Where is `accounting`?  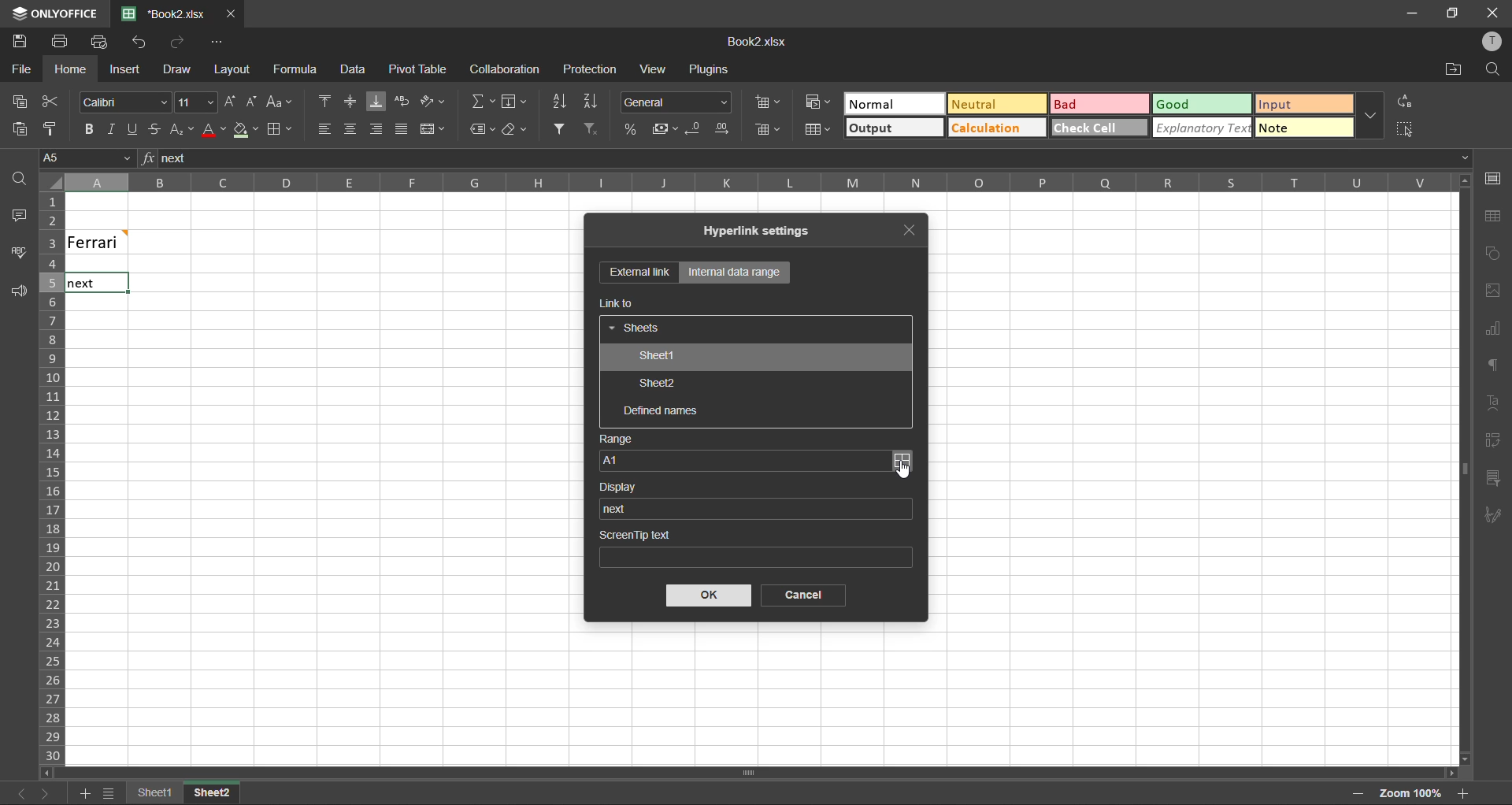
accounting is located at coordinates (667, 129).